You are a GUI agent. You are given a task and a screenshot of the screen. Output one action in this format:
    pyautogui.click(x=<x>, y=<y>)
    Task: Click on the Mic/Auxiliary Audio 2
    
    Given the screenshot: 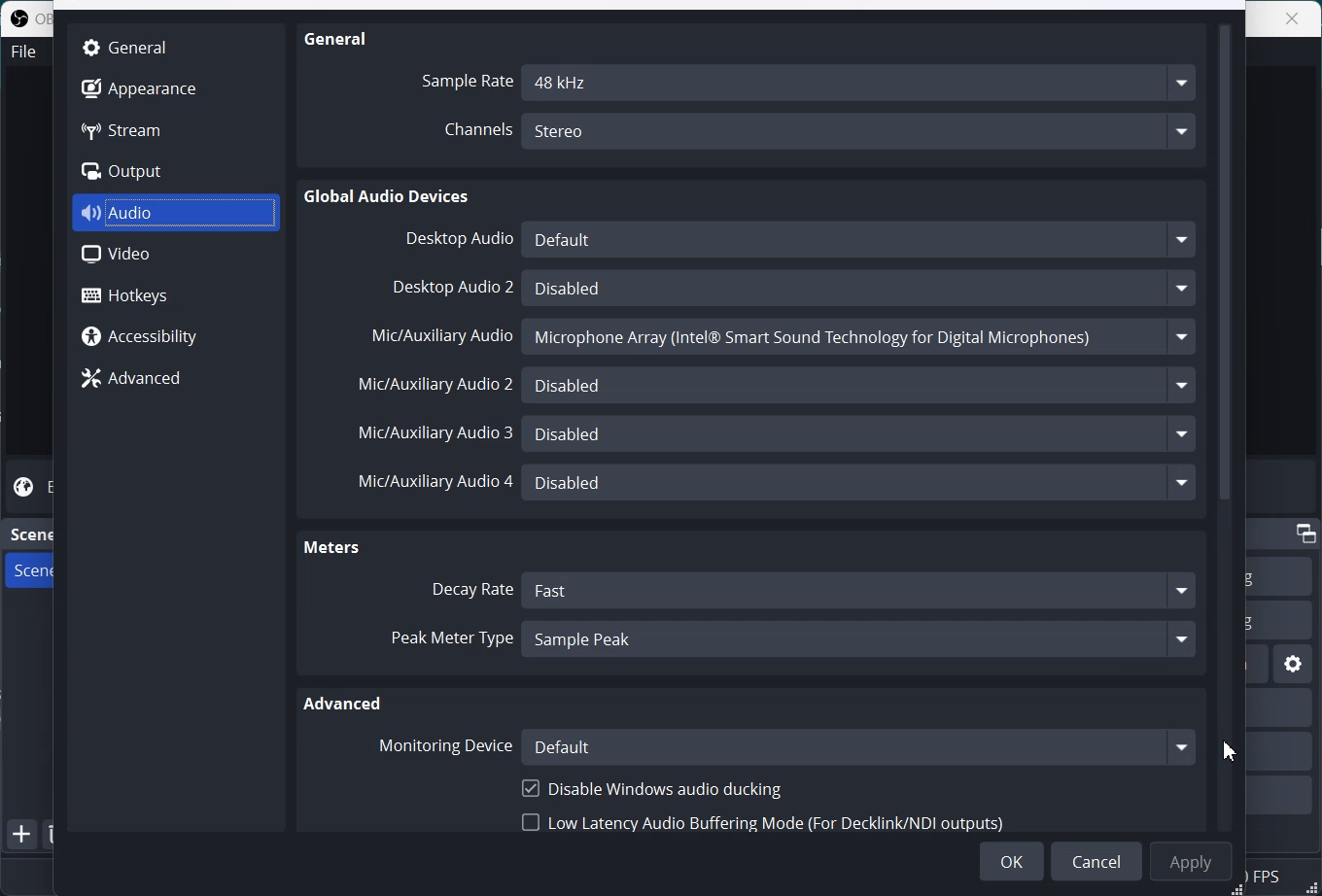 What is the action you would take?
    pyautogui.click(x=435, y=385)
    